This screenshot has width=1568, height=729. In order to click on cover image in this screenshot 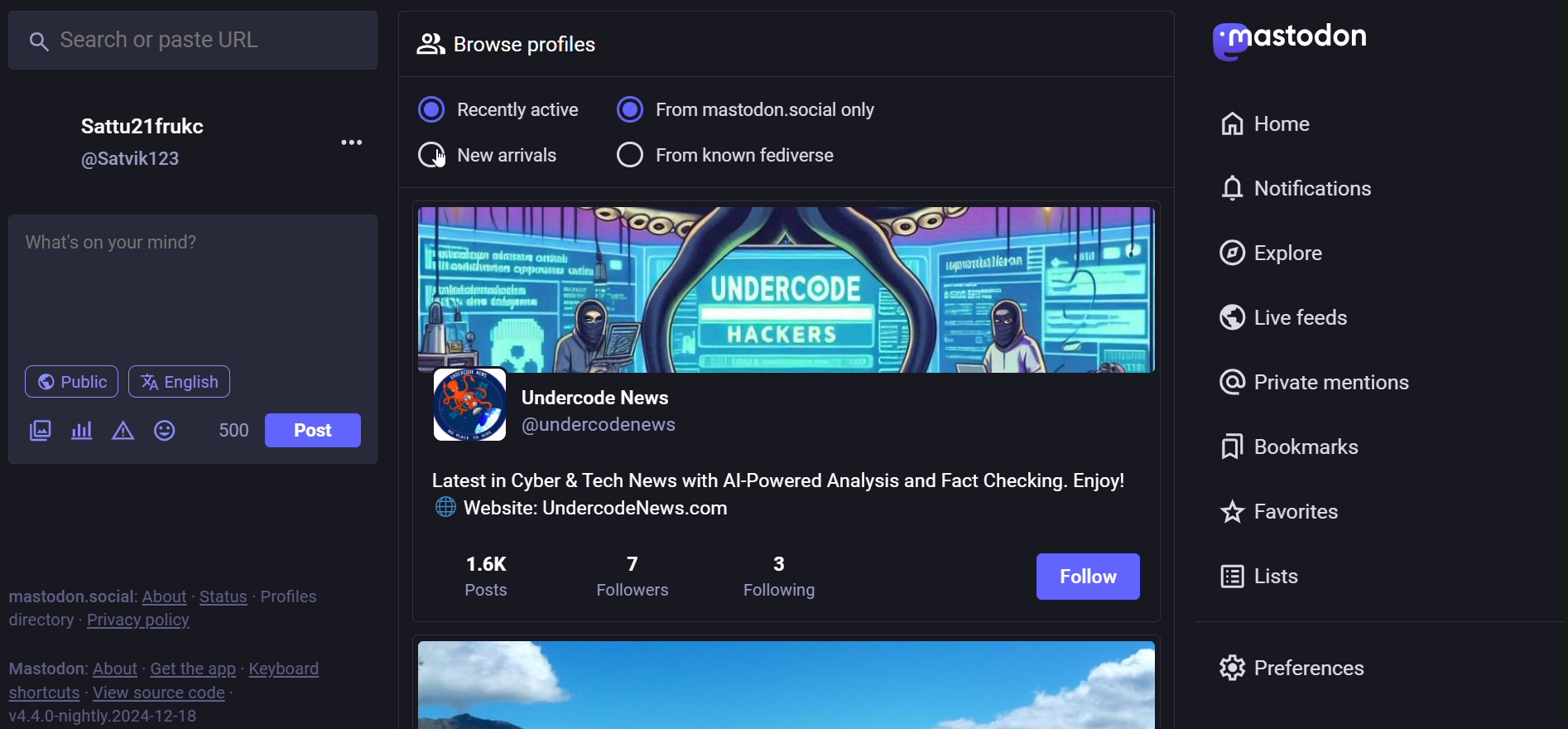, I will do `click(790, 282)`.